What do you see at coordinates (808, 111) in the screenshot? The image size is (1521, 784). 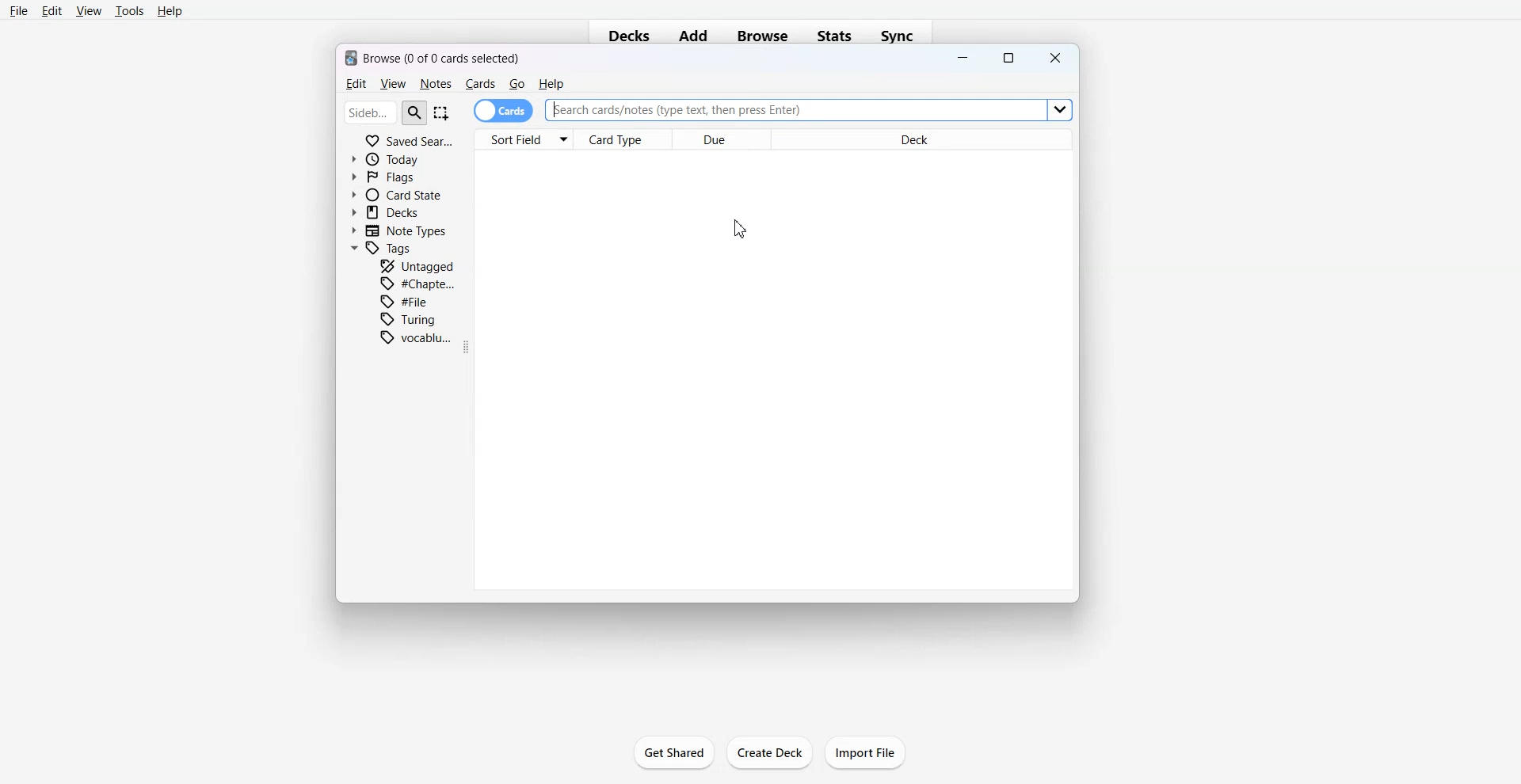 I see `Search Bar` at bounding box center [808, 111].